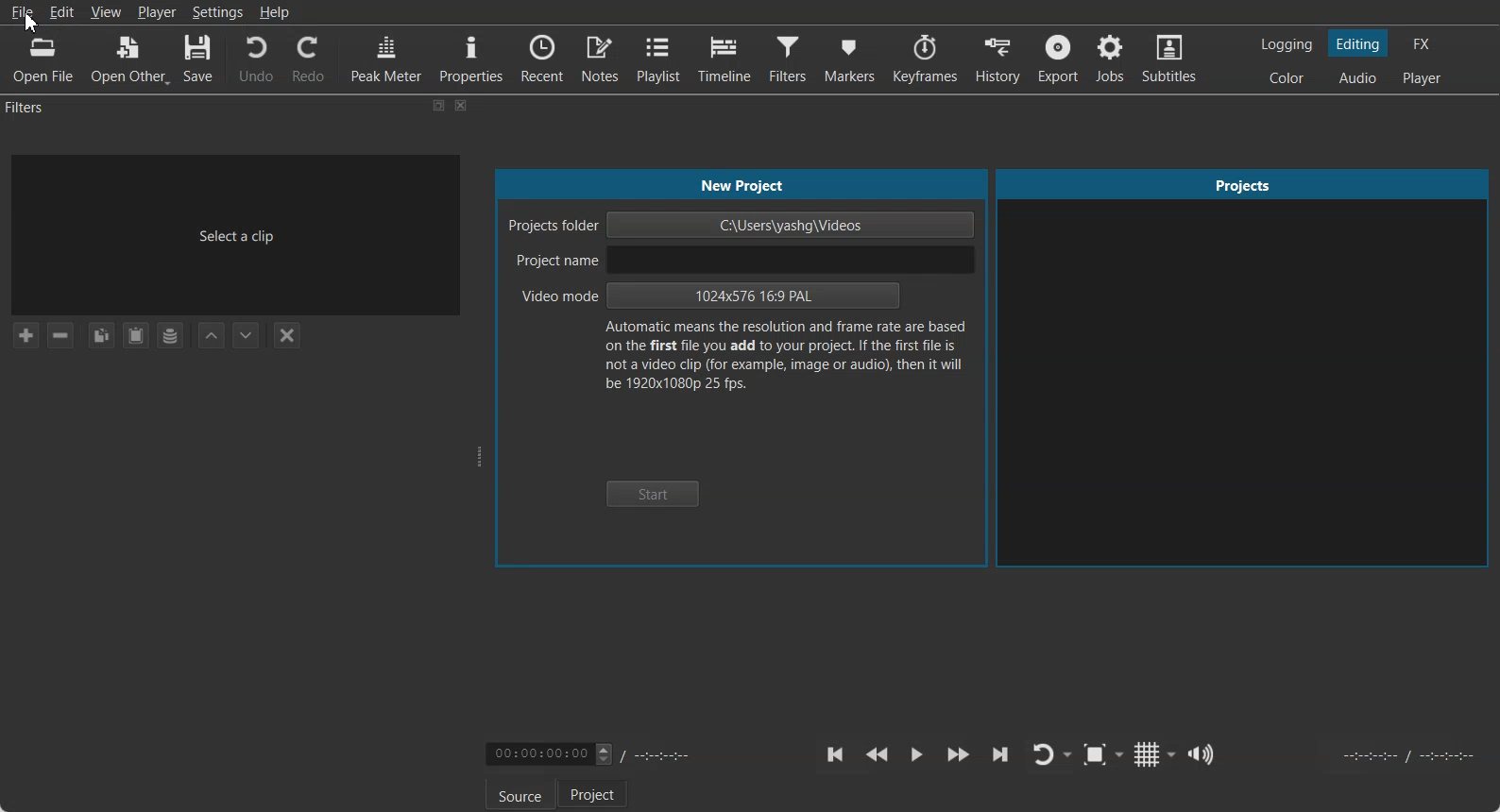  I want to click on Close, so click(462, 106).